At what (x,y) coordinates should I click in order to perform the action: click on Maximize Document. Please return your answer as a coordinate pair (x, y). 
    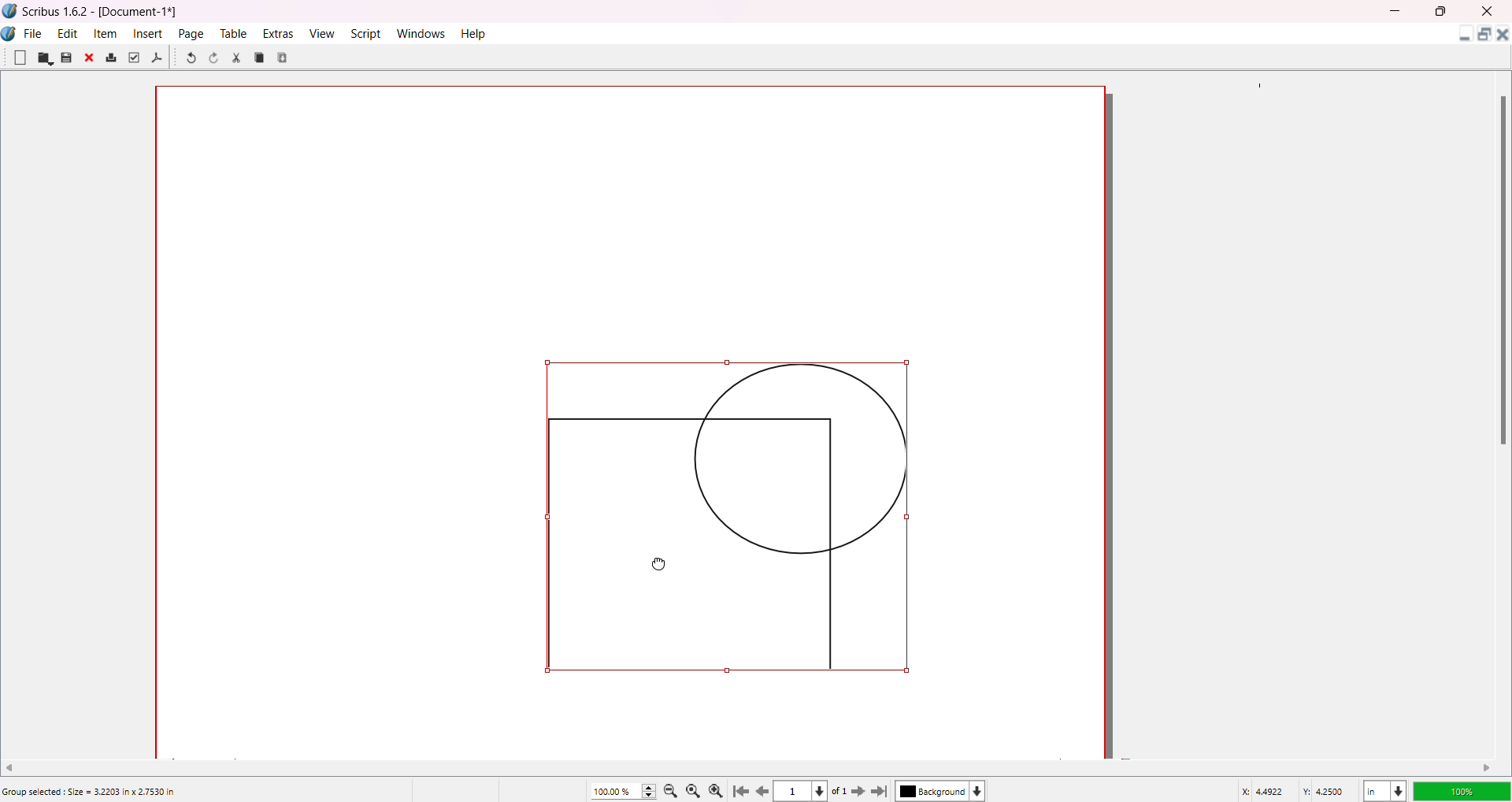
    Looking at the image, I should click on (1483, 37).